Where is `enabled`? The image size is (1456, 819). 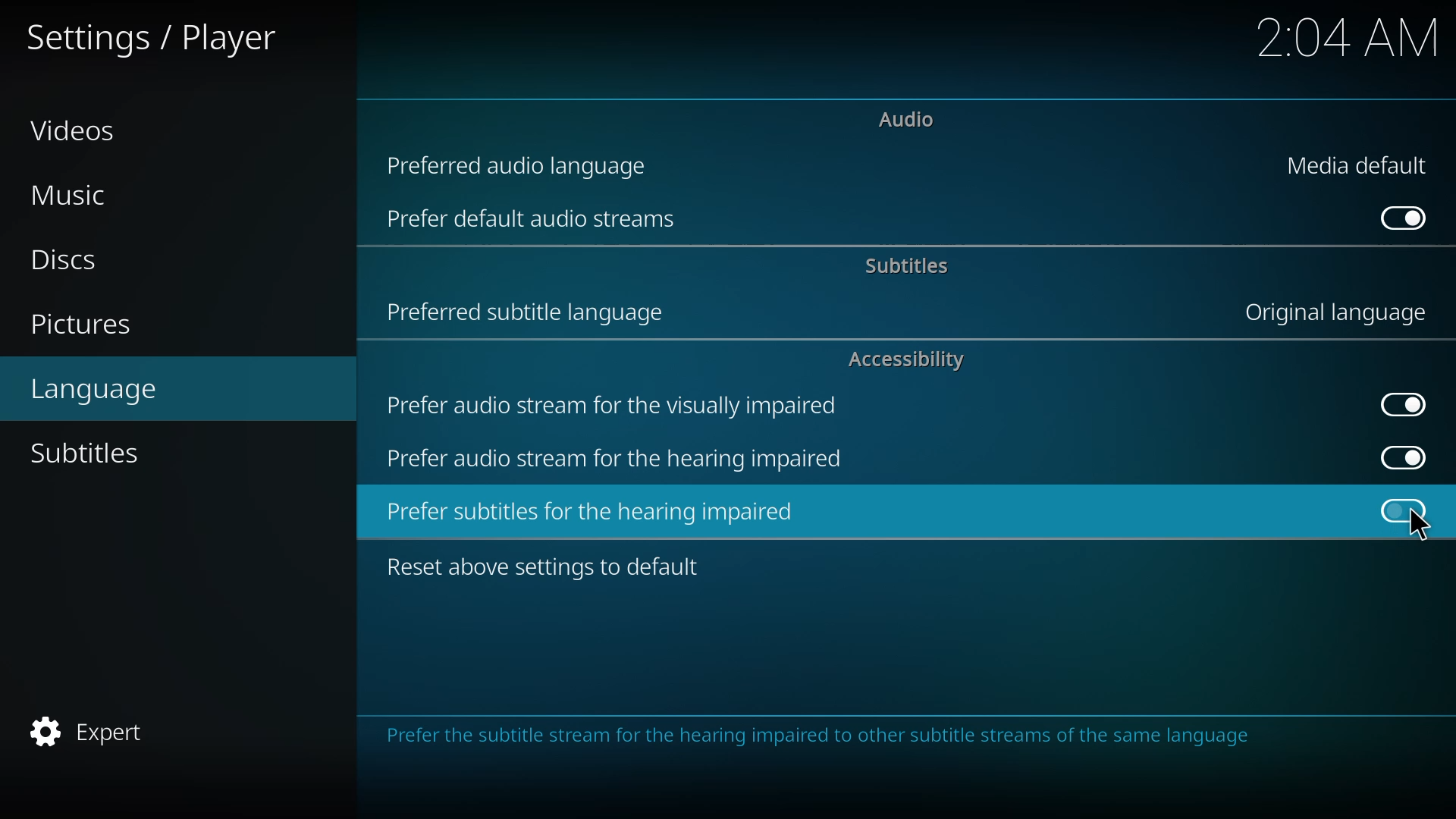
enabled is located at coordinates (1398, 454).